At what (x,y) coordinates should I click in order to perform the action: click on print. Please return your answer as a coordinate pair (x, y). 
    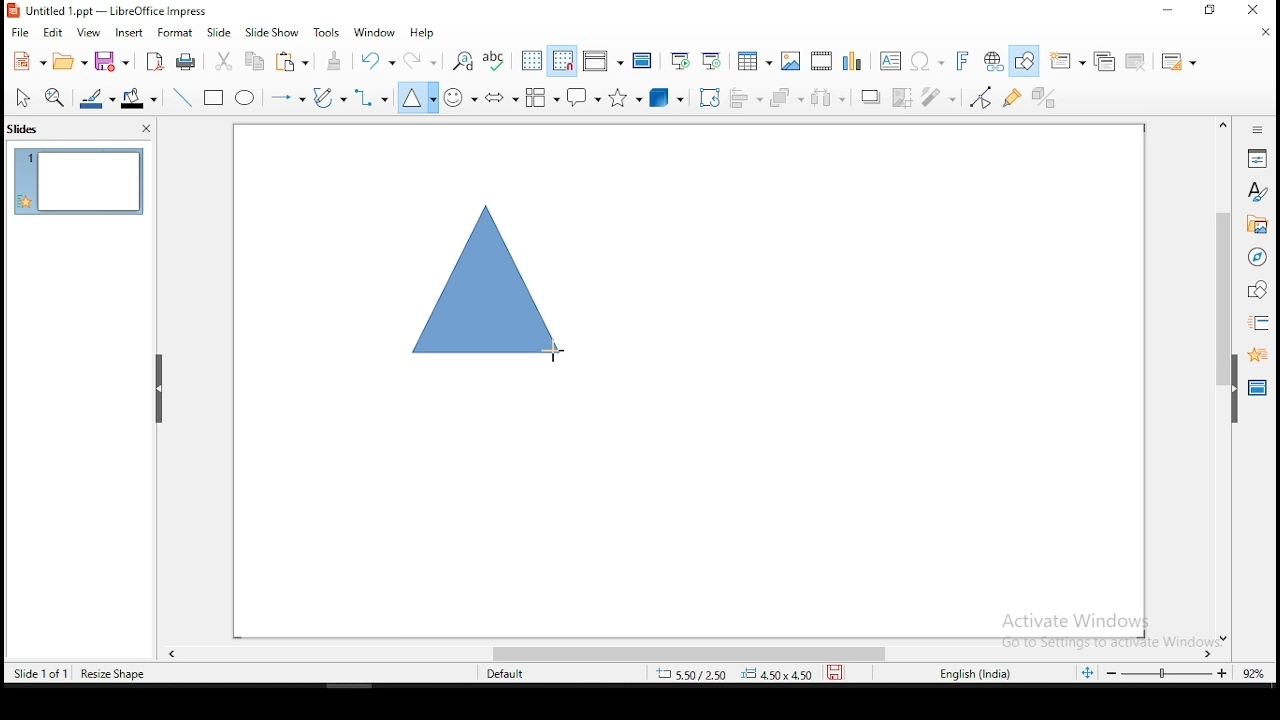
    Looking at the image, I should click on (187, 63).